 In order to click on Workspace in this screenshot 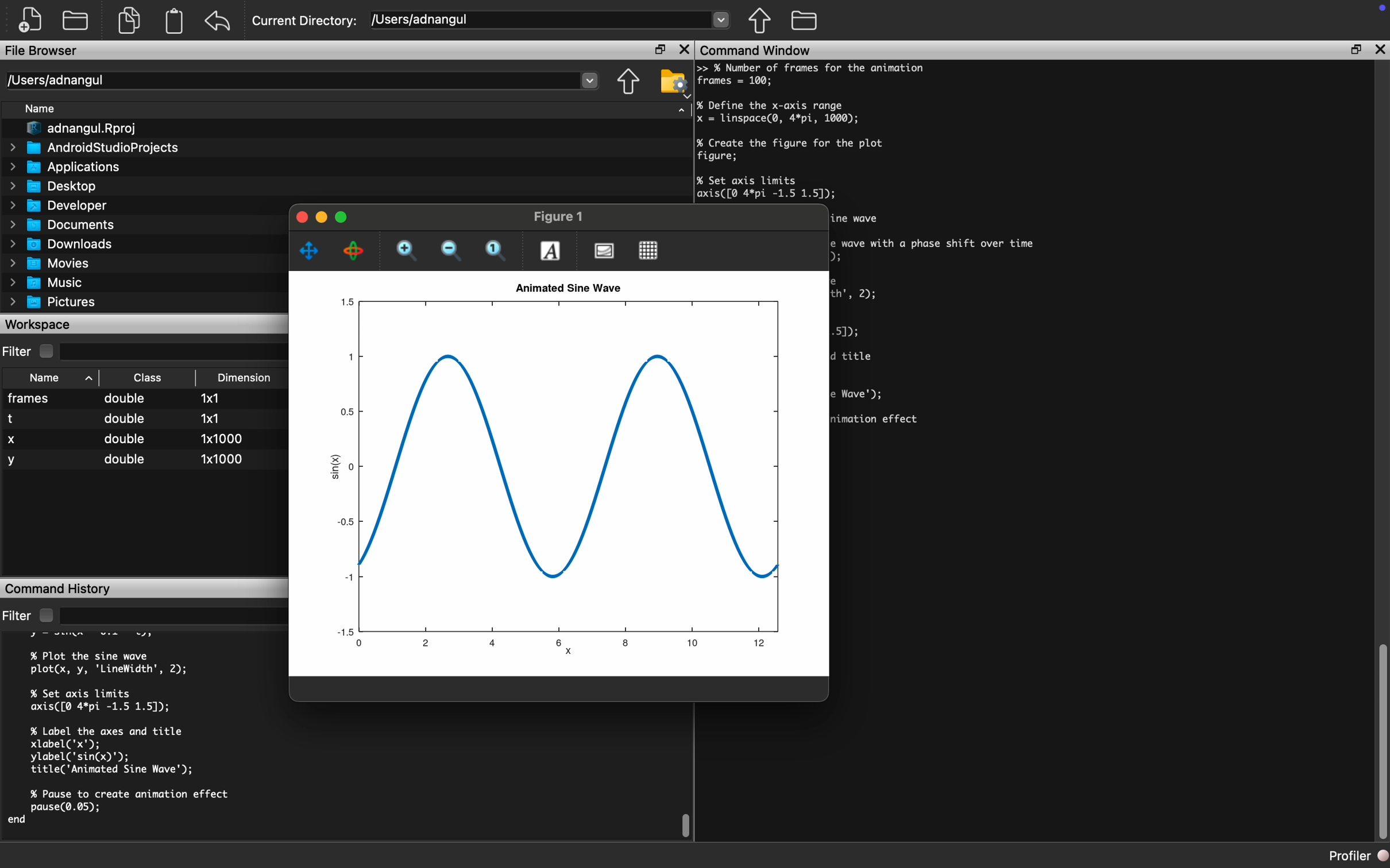, I will do `click(40, 325)`.